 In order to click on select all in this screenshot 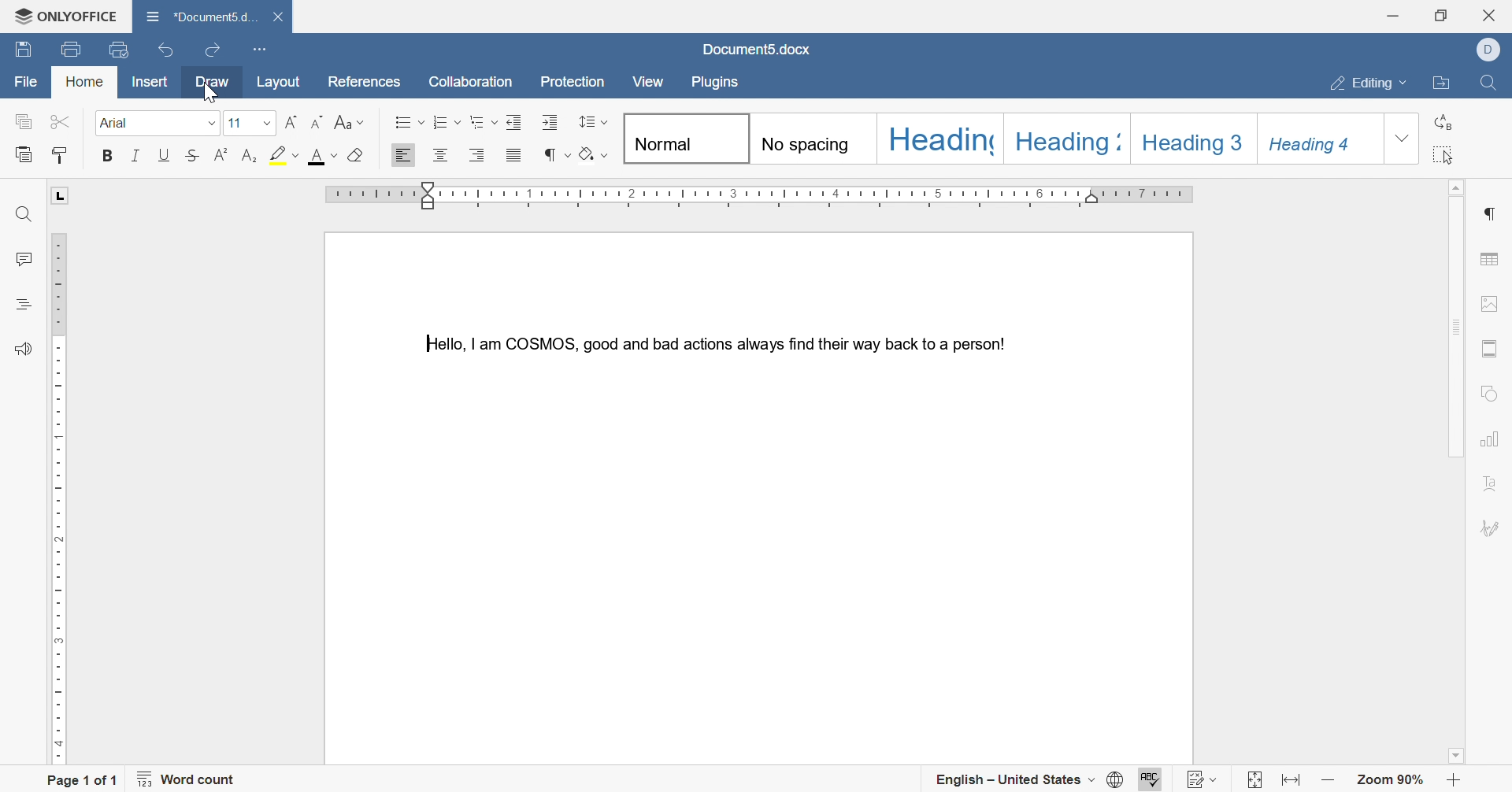, I will do `click(1443, 157)`.